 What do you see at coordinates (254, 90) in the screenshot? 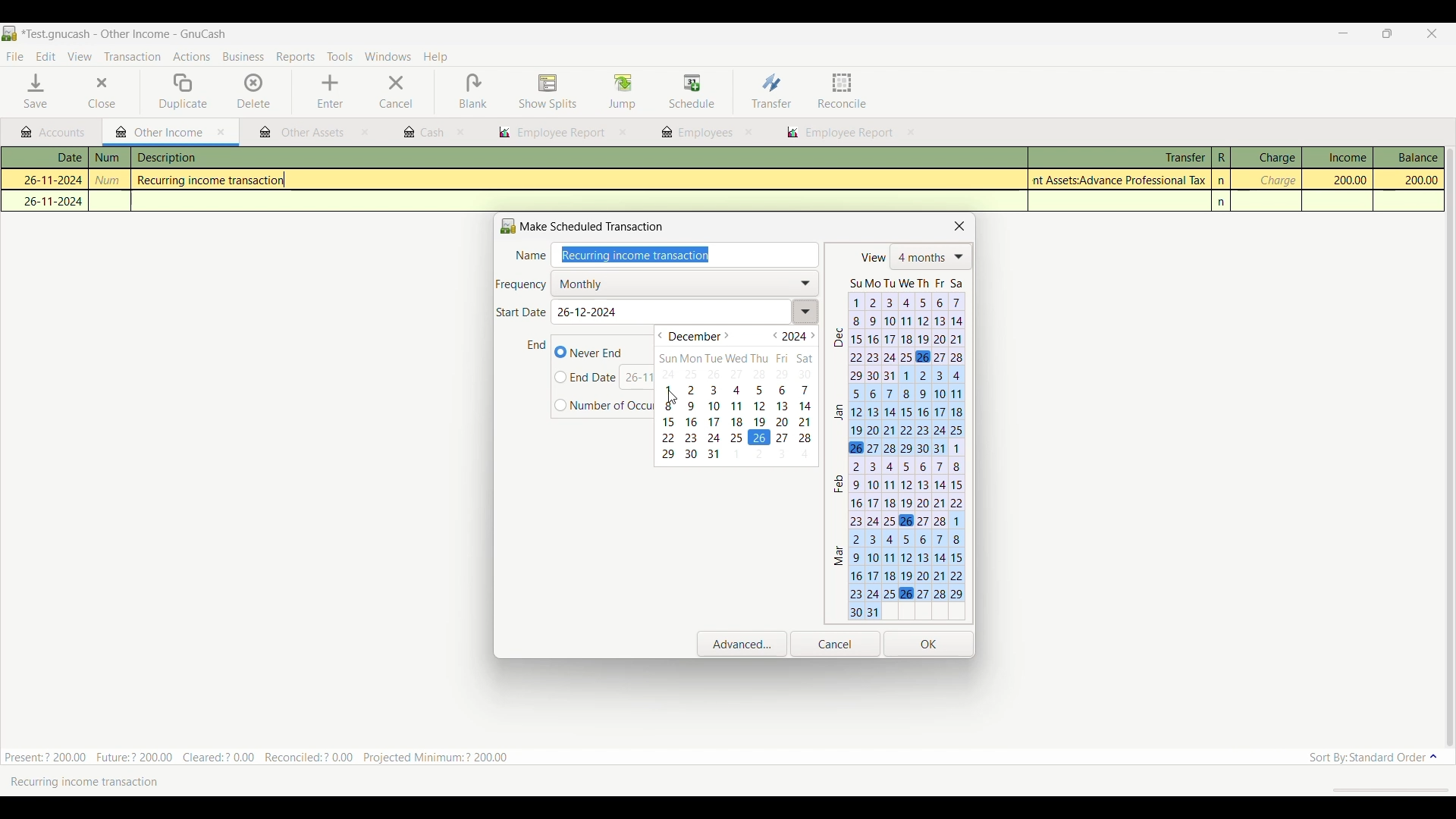
I see `Delete` at bounding box center [254, 90].